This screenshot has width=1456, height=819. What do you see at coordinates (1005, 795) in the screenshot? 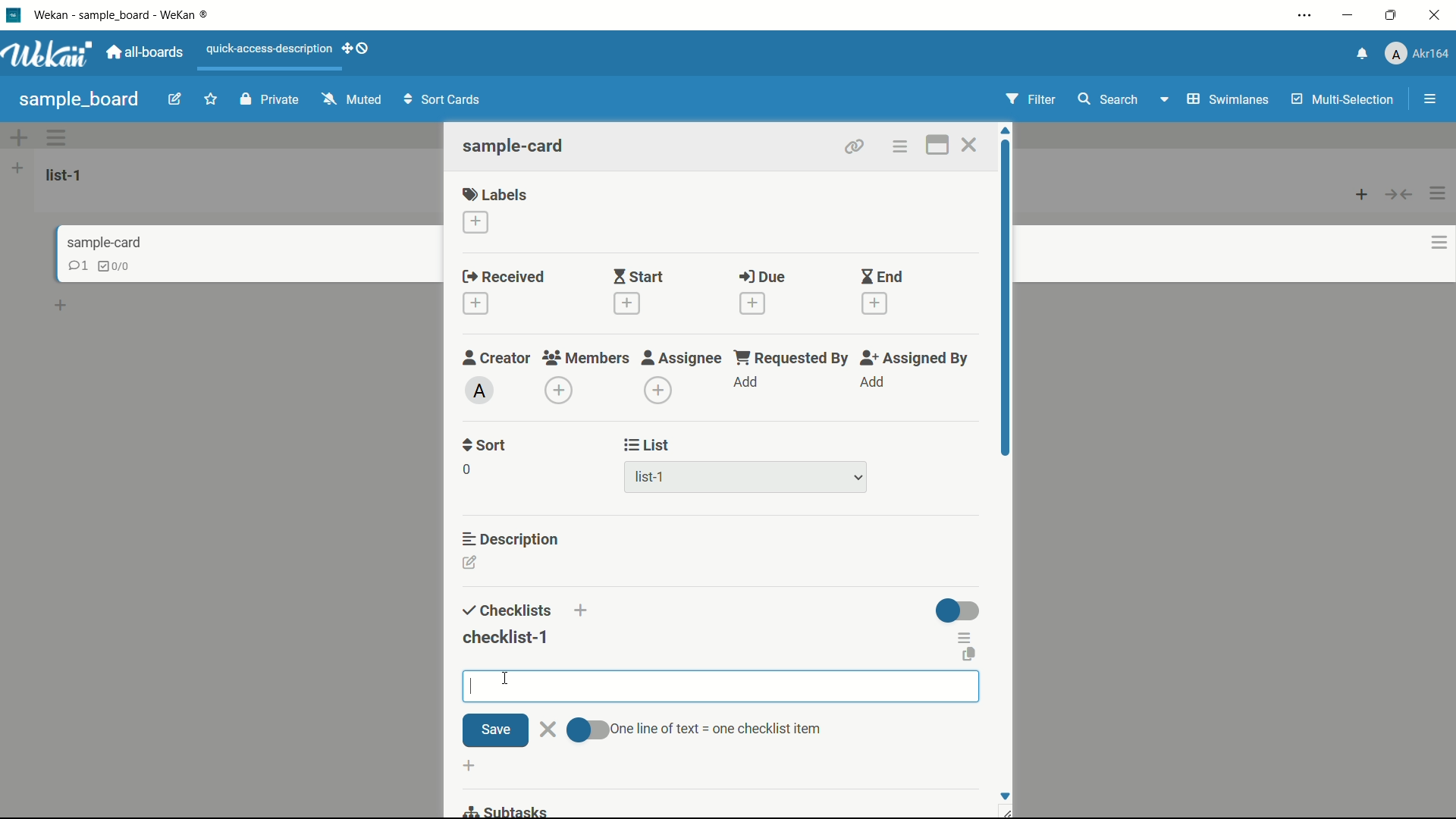
I see `Scroll down` at bounding box center [1005, 795].